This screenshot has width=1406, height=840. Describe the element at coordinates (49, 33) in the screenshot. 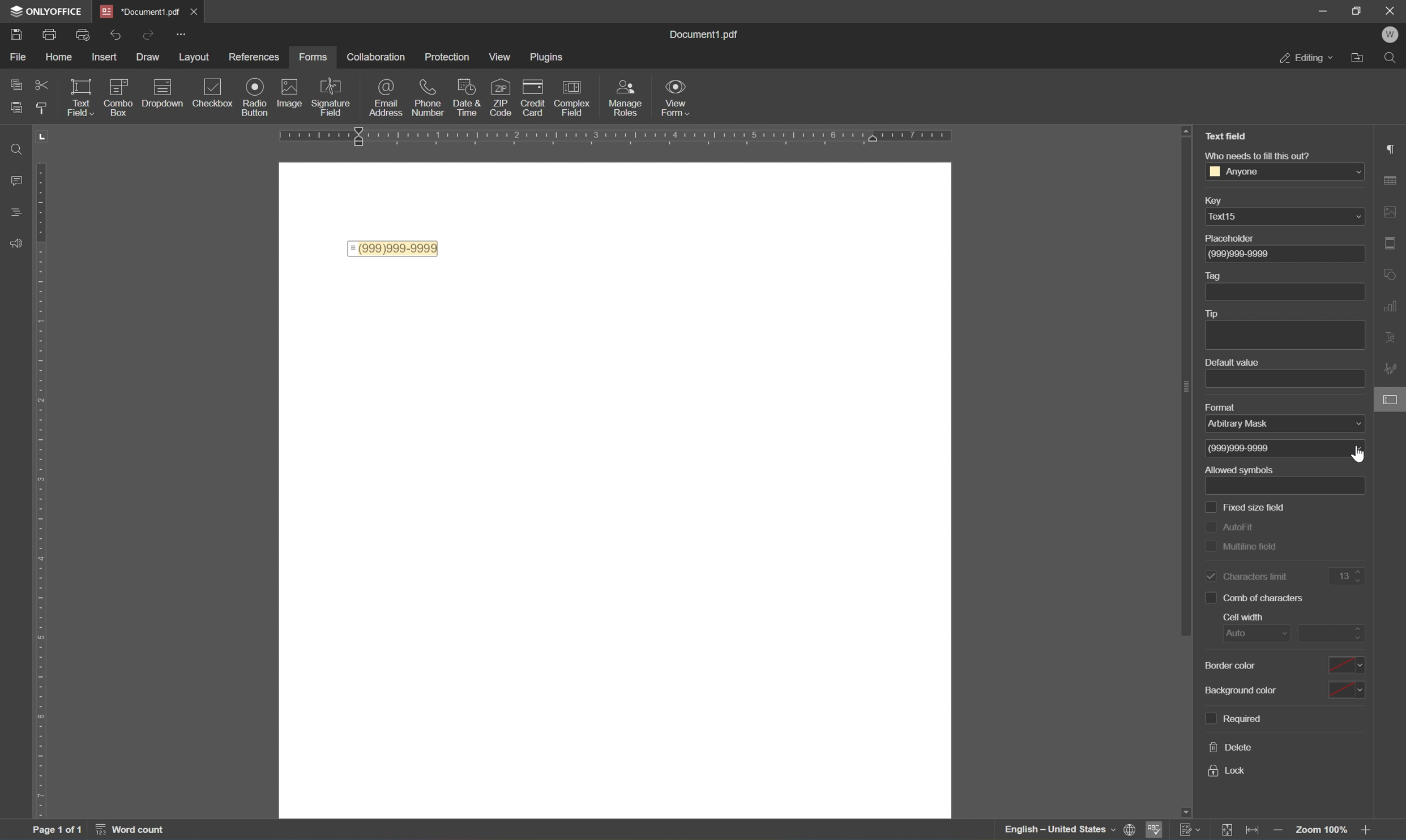

I see `print` at that location.